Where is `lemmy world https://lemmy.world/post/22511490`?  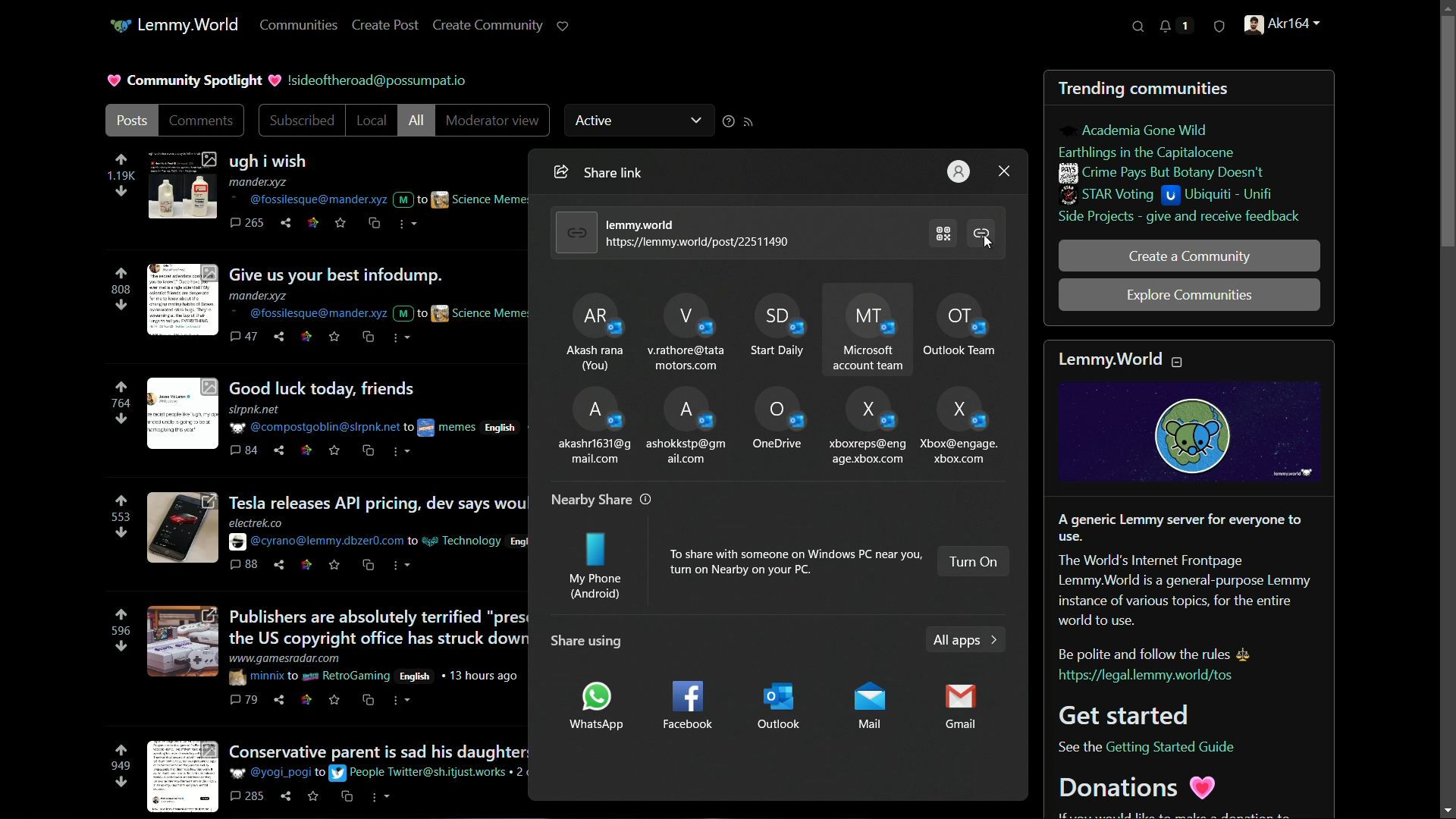
lemmy world https://lemmy.world/post/22511490 is located at coordinates (701, 233).